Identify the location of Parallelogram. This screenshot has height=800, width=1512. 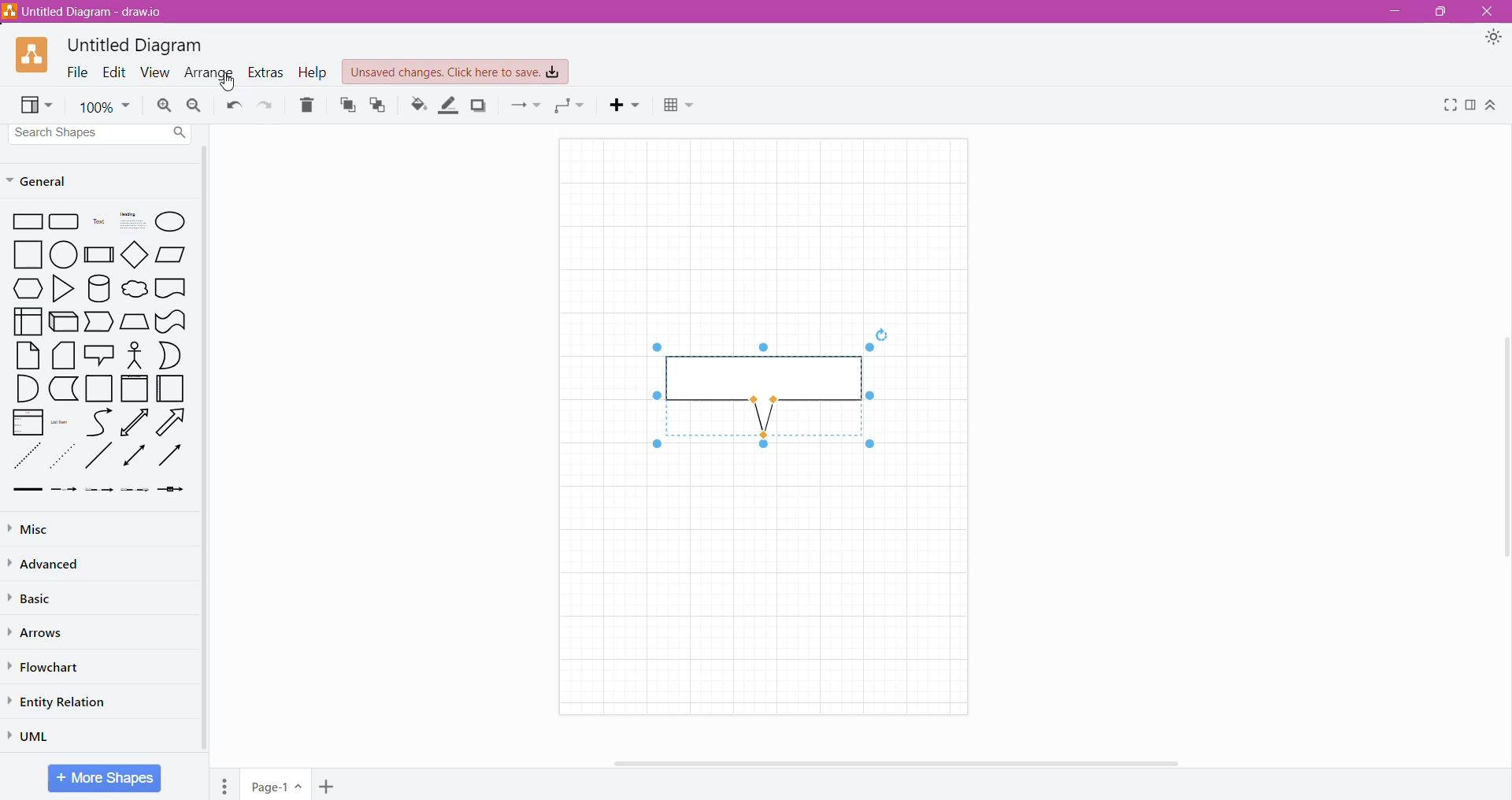
(171, 254).